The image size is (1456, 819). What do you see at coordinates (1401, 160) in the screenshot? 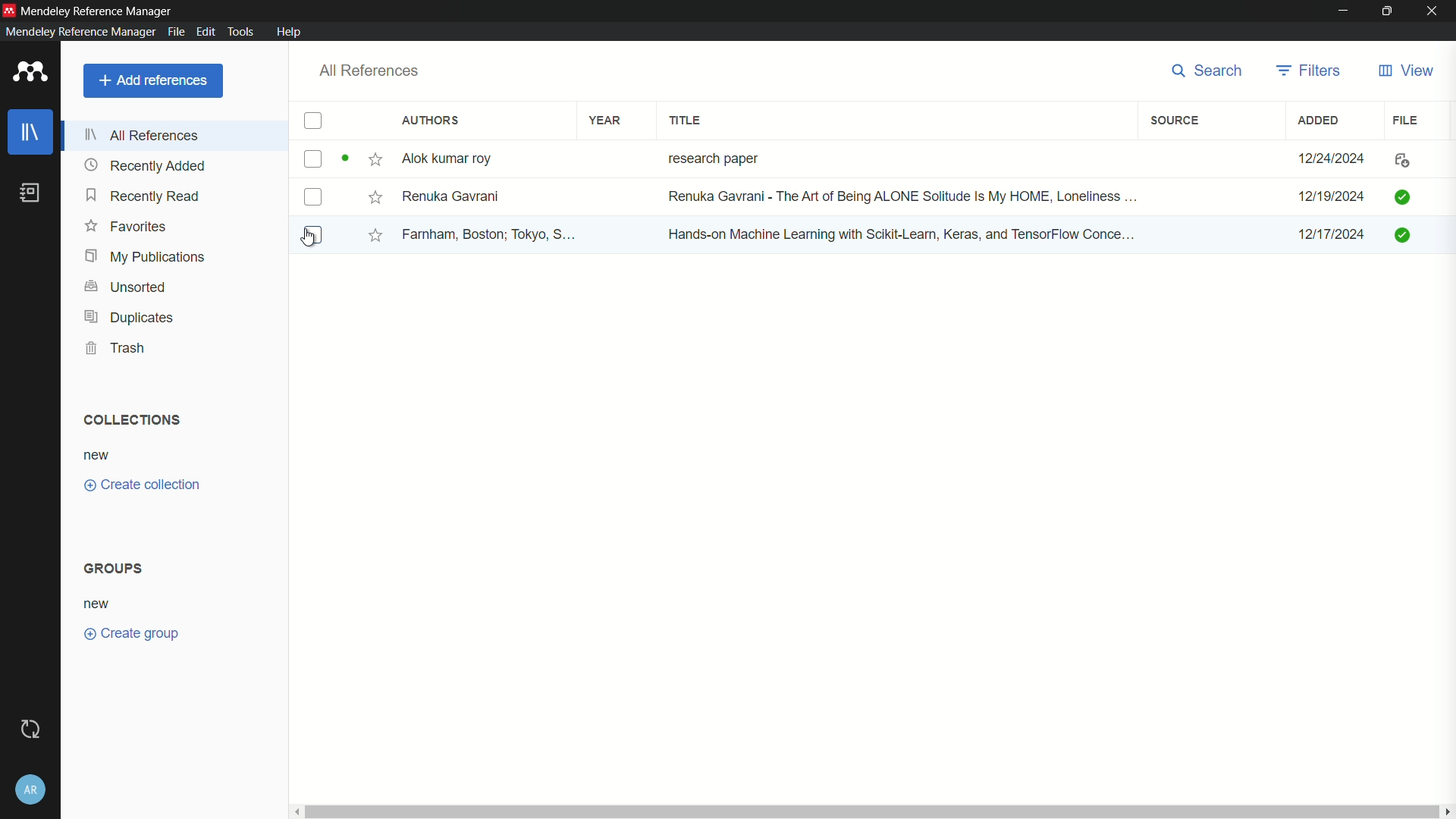
I see `icon` at bounding box center [1401, 160].